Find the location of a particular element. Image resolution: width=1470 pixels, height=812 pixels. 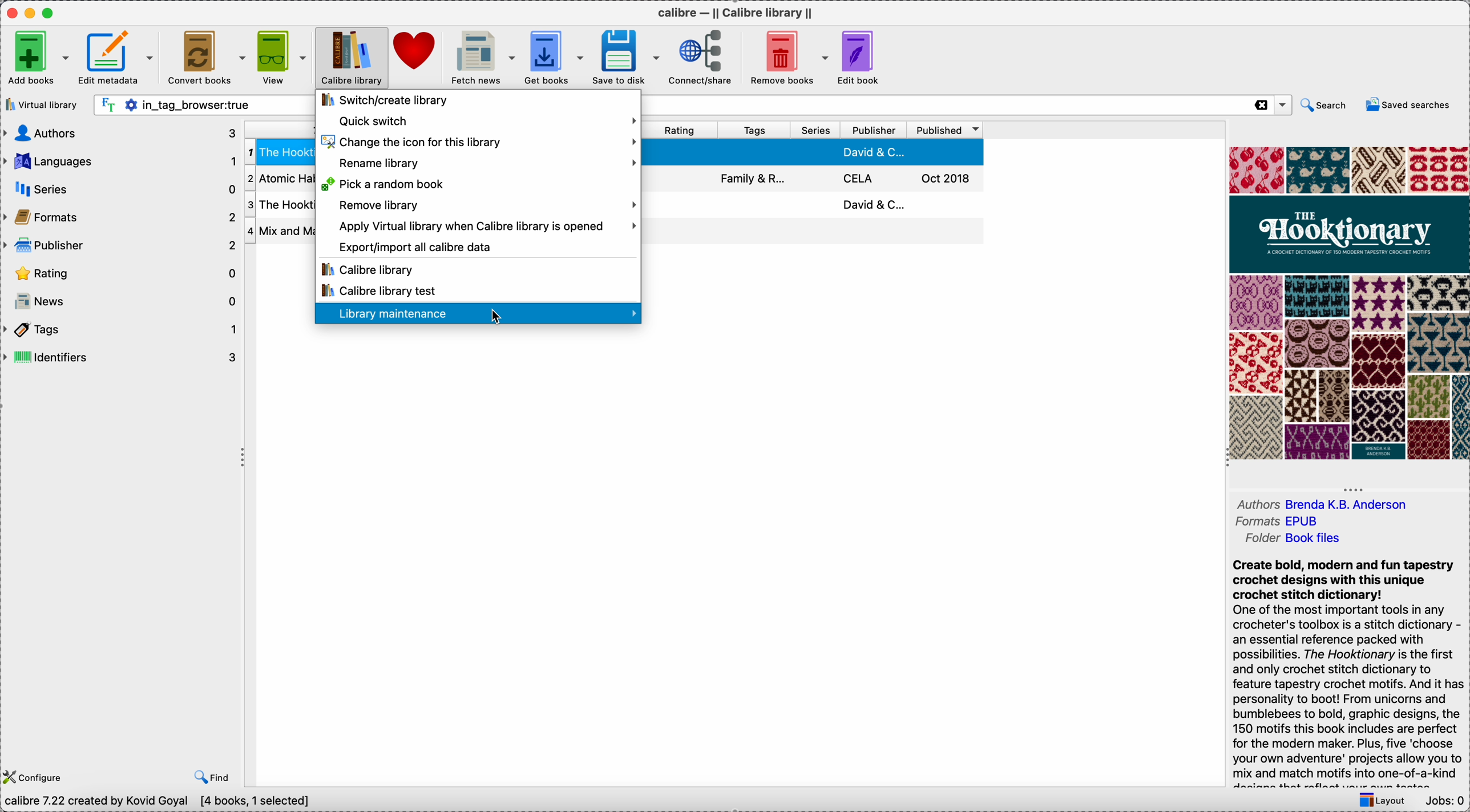

first book is located at coordinates (819, 153).